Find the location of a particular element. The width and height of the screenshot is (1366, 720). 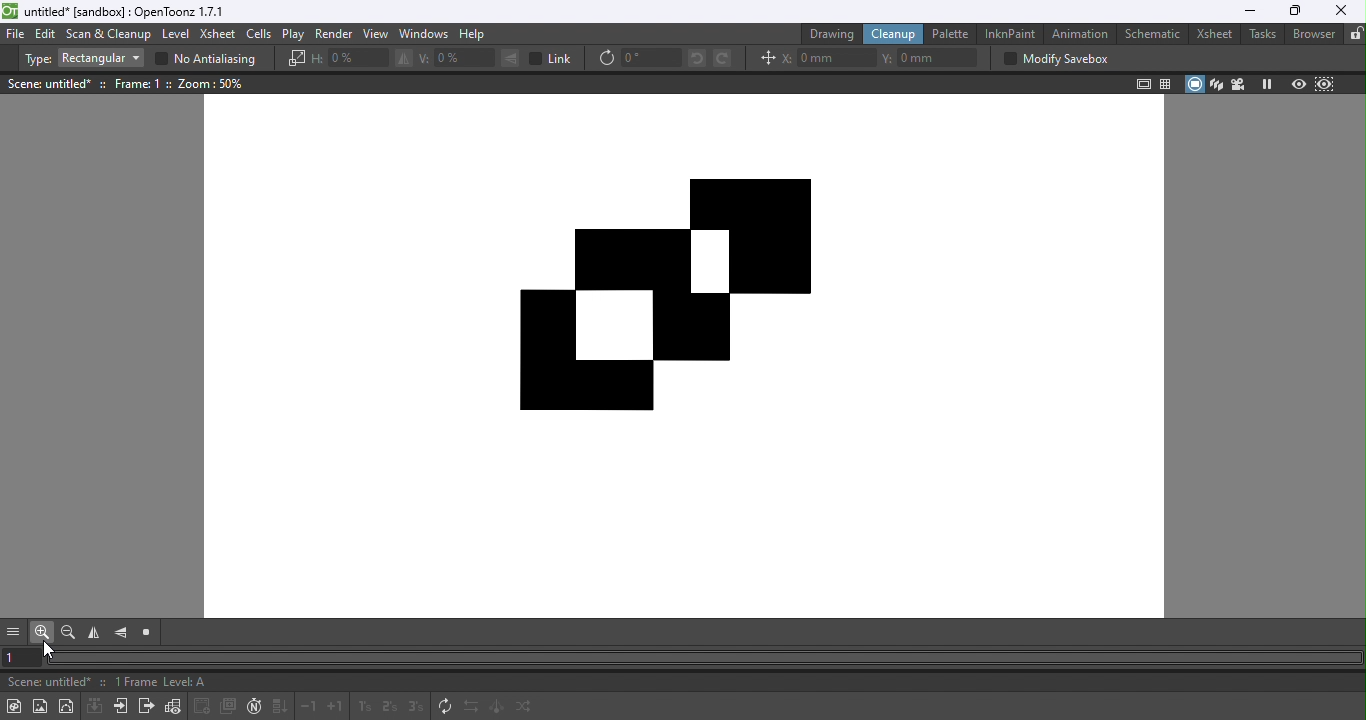

Field guide is located at coordinates (1163, 84).